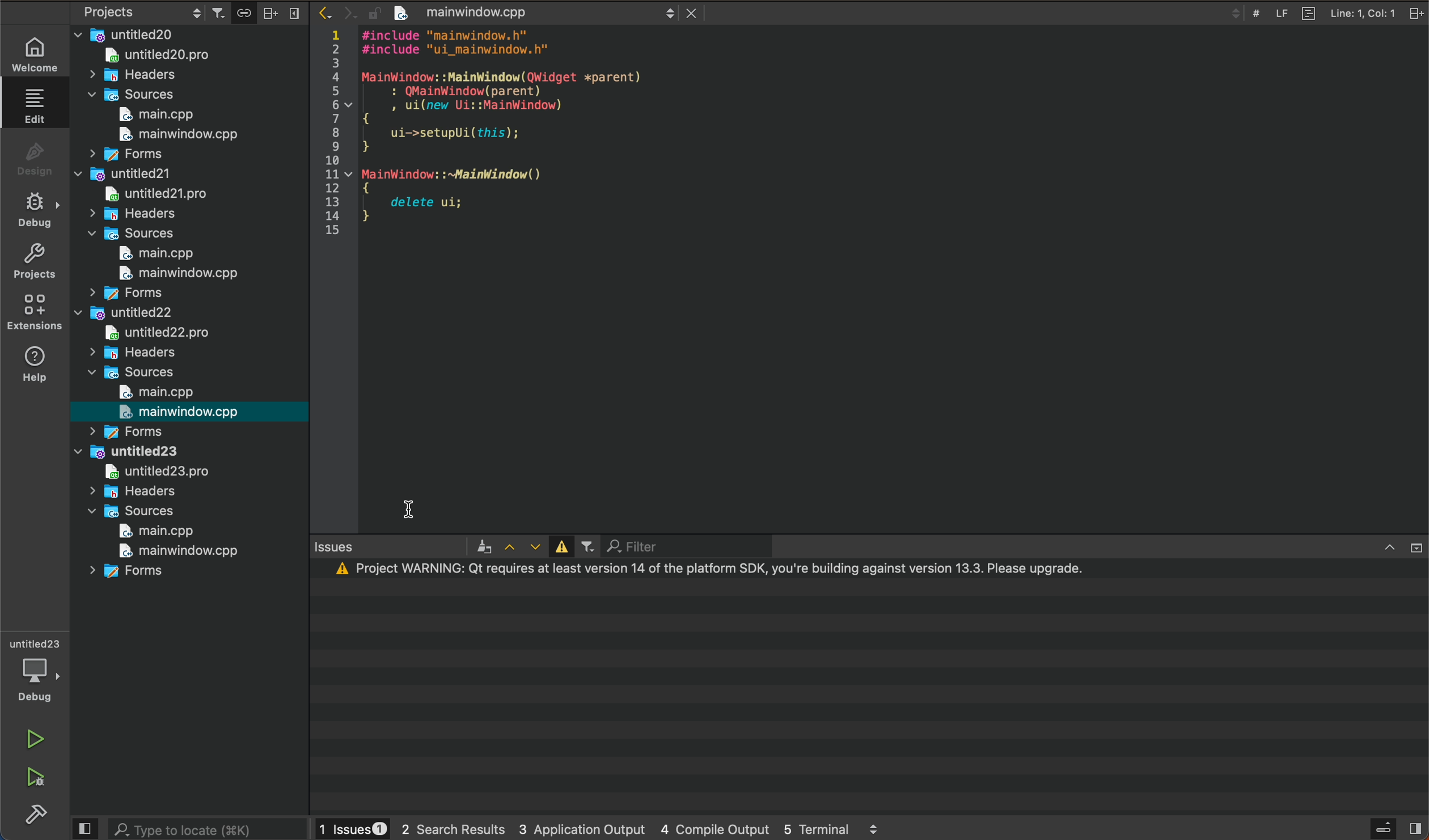  What do you see at coordinates (322, 12) in the screenshot?
I see `previous` at bounding box center [322, 12].